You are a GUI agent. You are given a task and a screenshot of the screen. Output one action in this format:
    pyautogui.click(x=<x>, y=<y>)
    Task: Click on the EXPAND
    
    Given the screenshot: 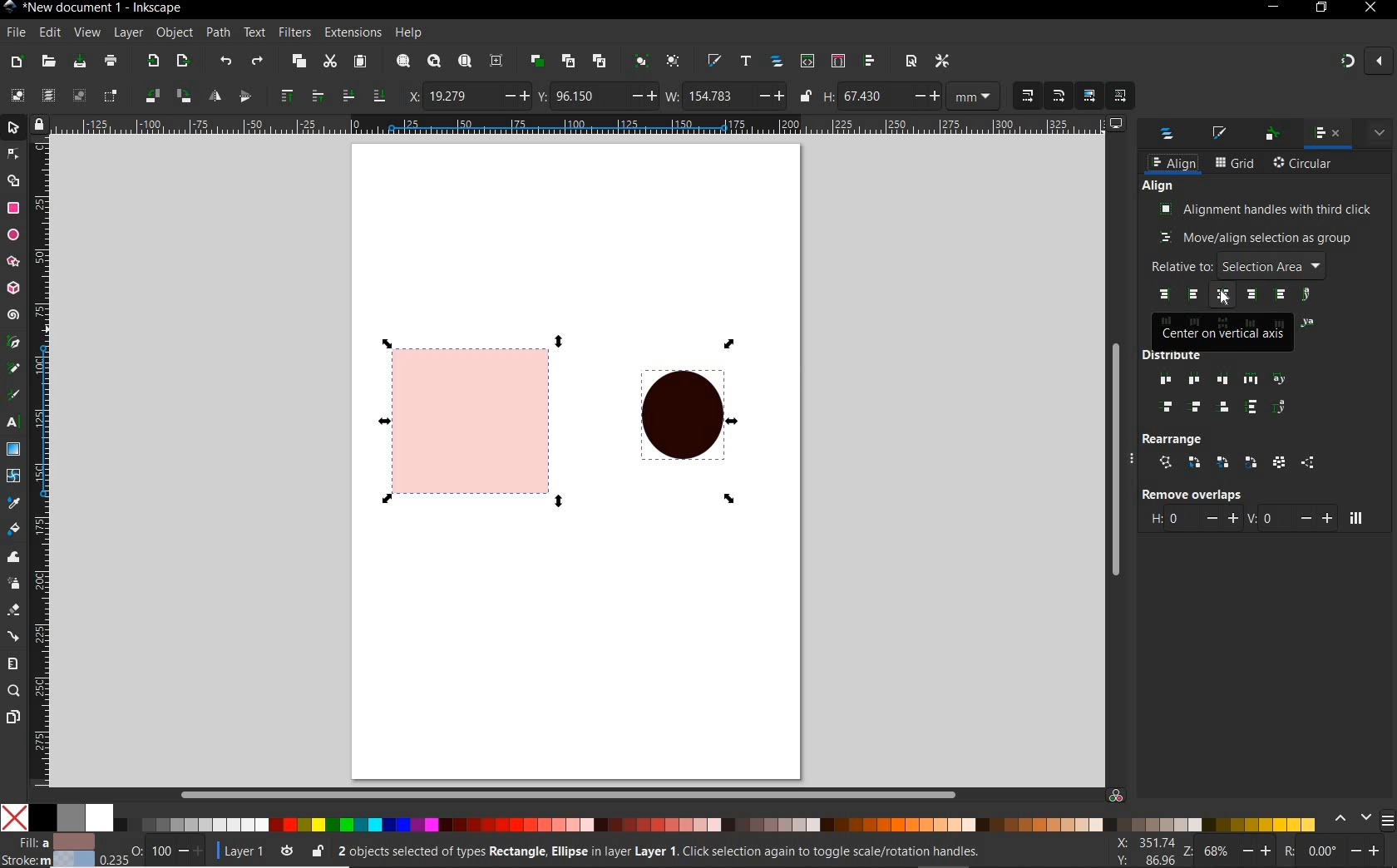 What is the action you would take?
    pyautogui.click(x=1380, y=131)
    